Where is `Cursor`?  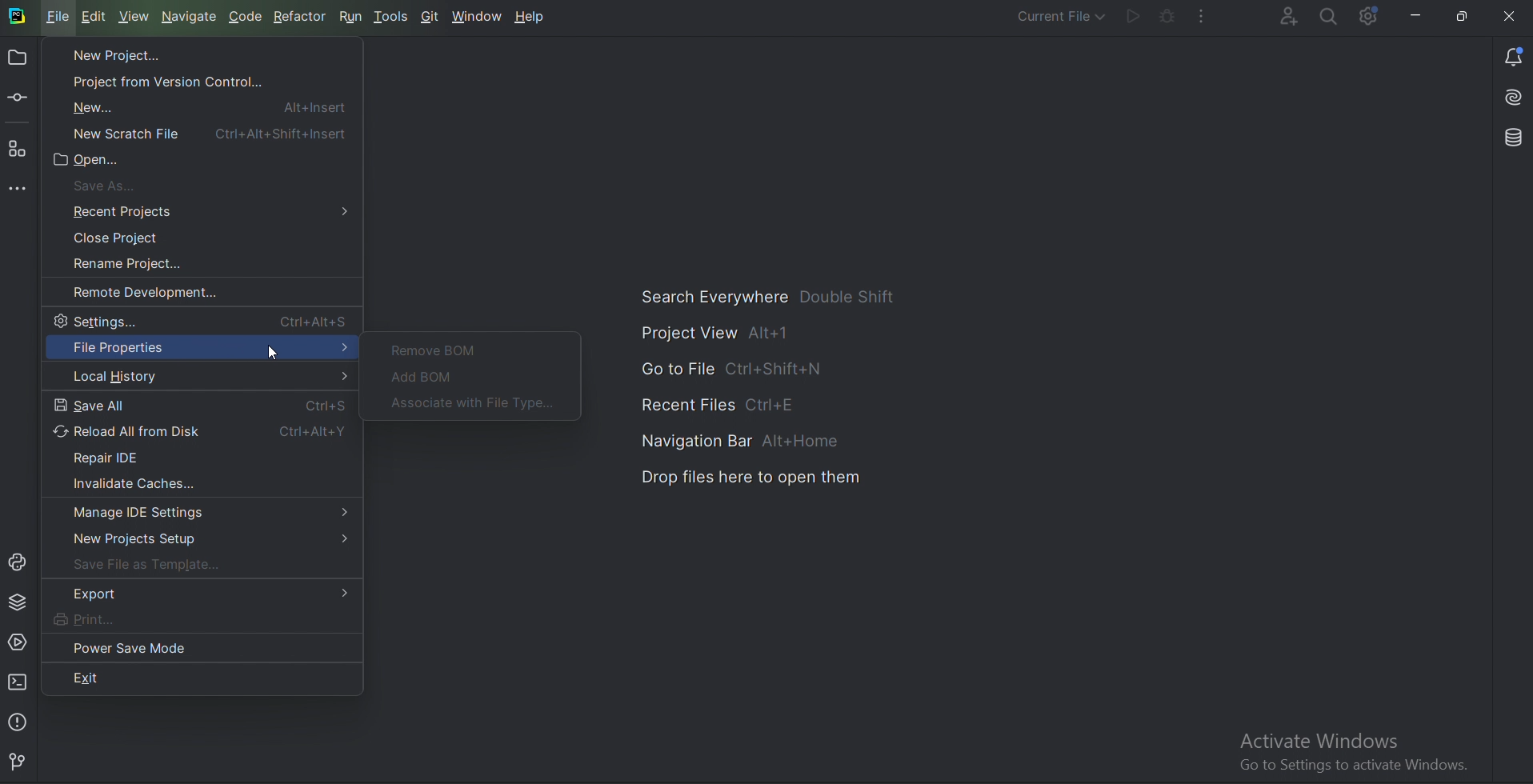 Cursor is located at coordinates (273, 353).